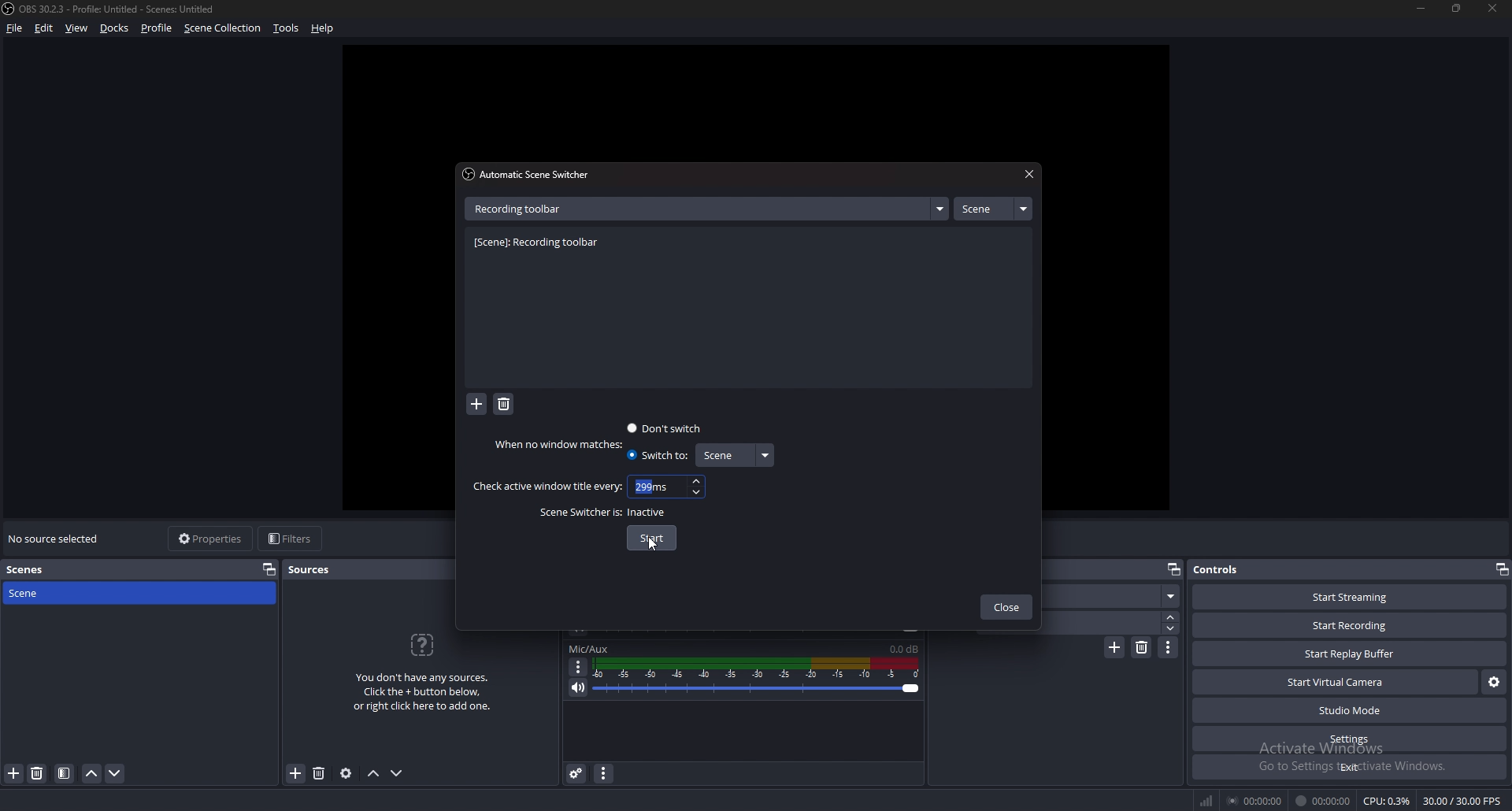  Describe the element at coordinates (603, 772) in the screenshot. I see `audio mixer menu` at that location.